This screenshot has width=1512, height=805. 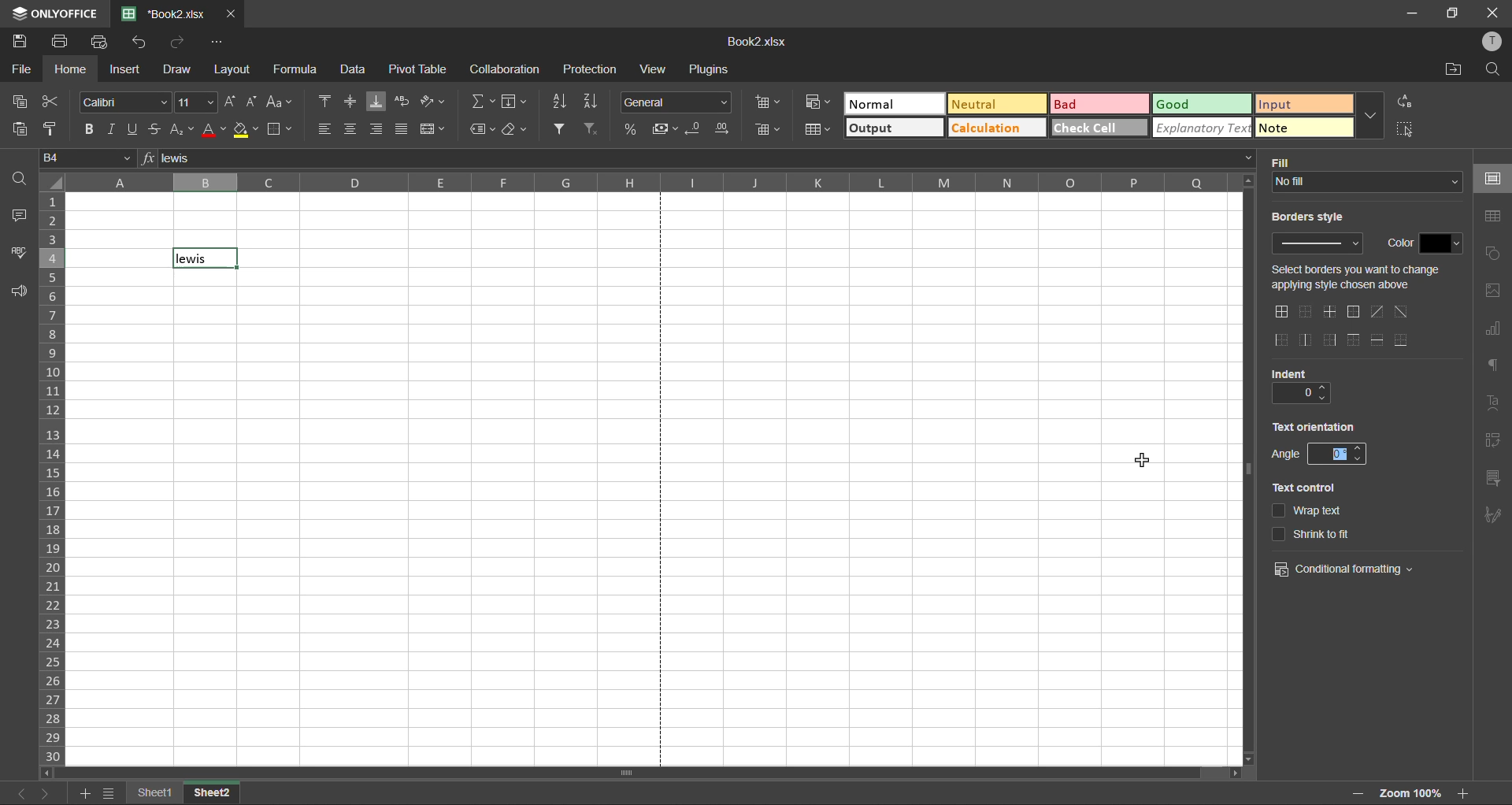 I want to click on named ranges, so click(x=481, y=128).